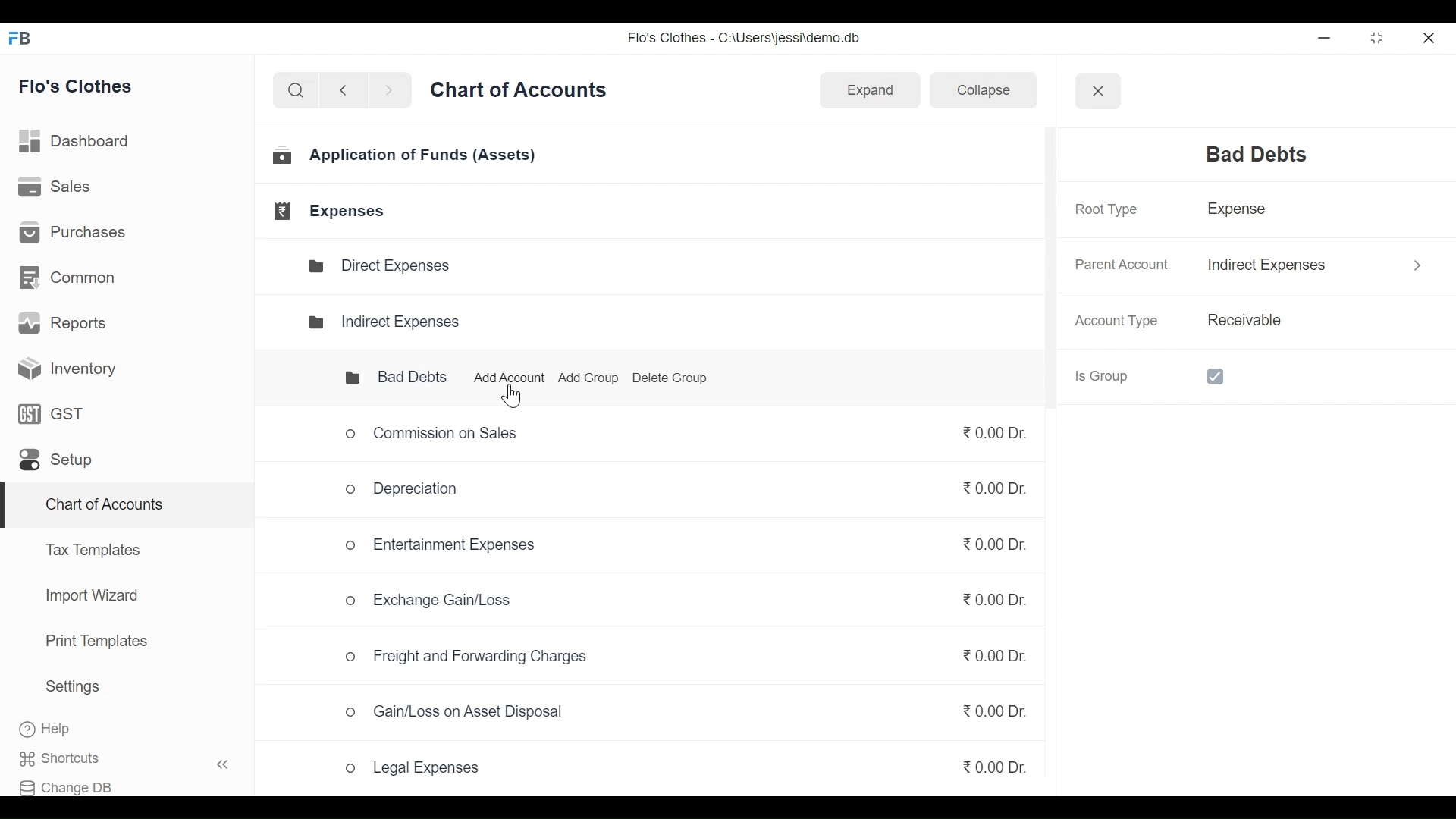 The width and height of the screenshot is (1456, 819). What do you see at coordinates (591, 379) in the screenshot?
I see `Add Group` at bounding box center [591, 379].